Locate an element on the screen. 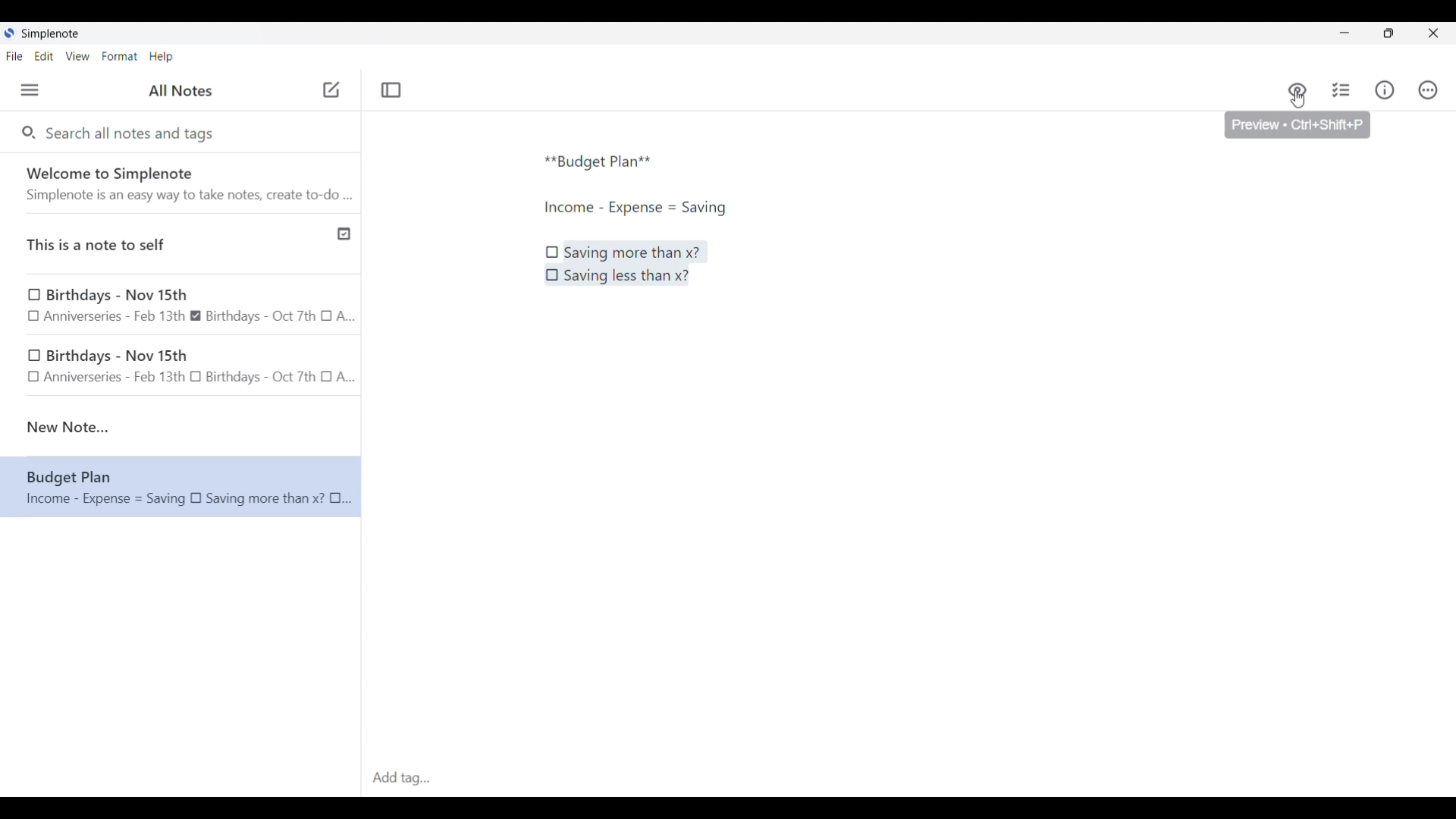 Image resolution: width=1456 pixels, height=819 pixels. Edit menu is located at coordinates (45, 55).